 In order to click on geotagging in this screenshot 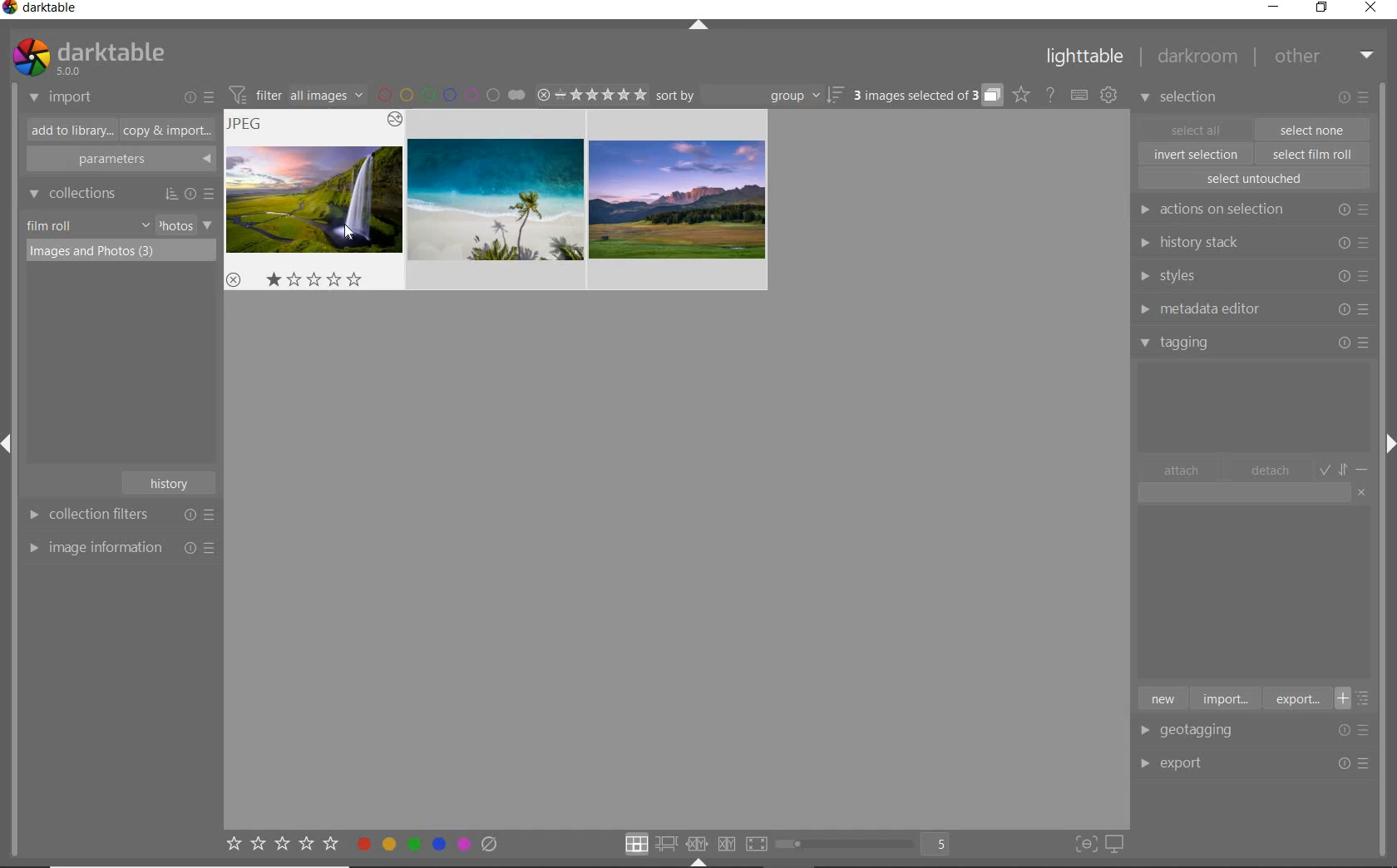, I will do `click(1202, 732)`.